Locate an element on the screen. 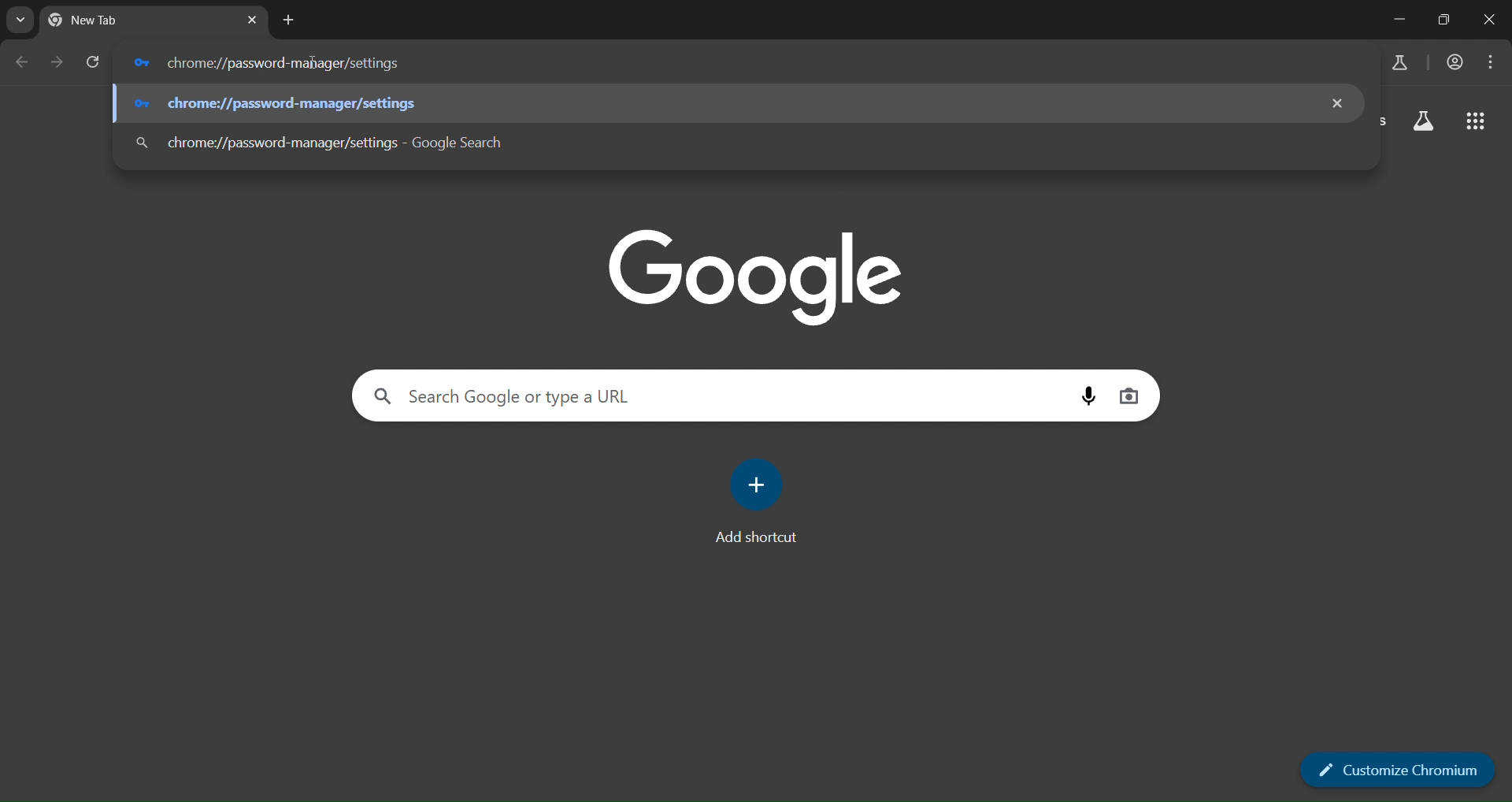 The image size is (1512, 802). go back one page is located at coordinates (21, 66).